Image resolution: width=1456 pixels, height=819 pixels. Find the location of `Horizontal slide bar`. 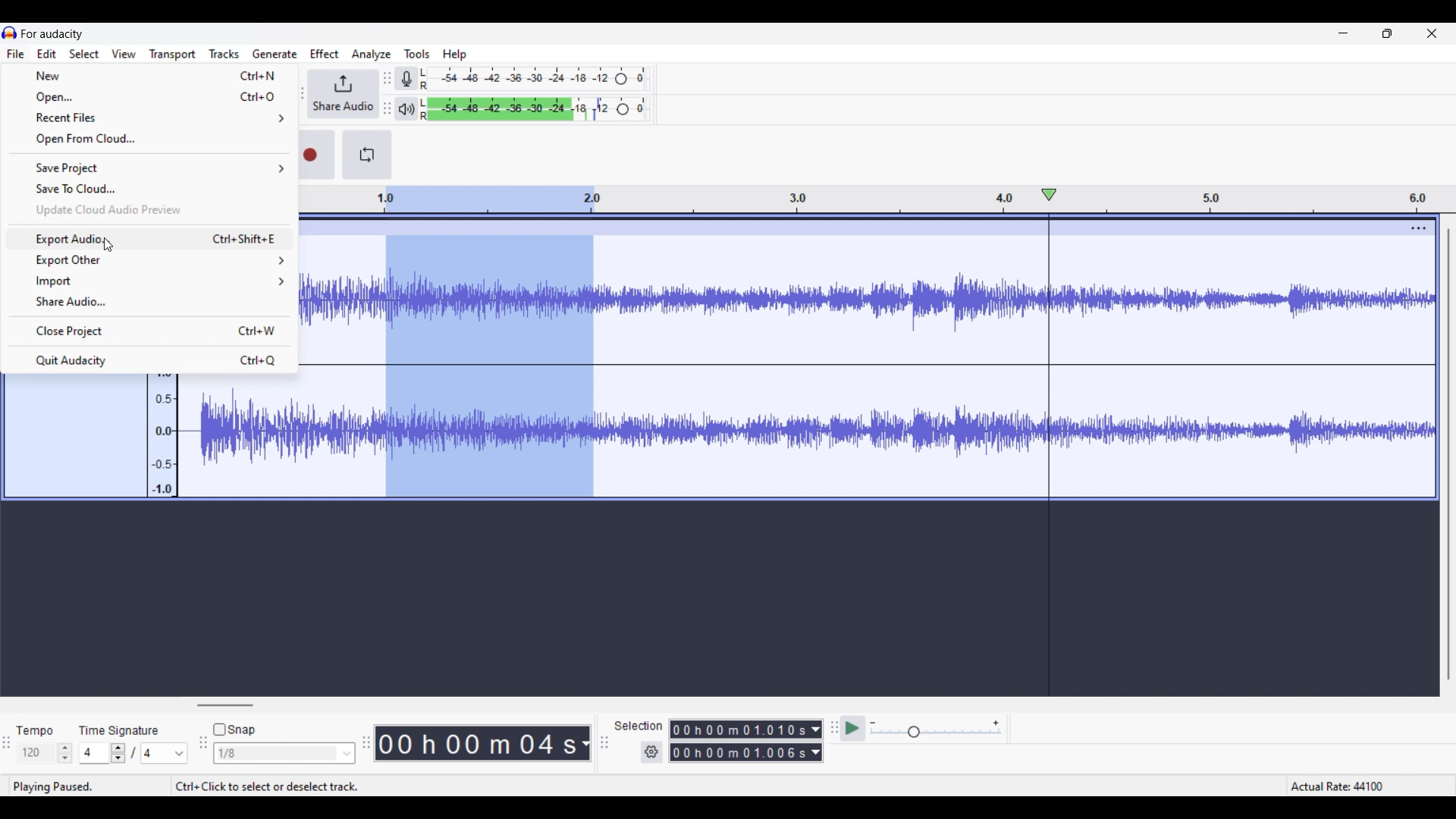

Horizontal slide bar is located at coordinates (224, 705).